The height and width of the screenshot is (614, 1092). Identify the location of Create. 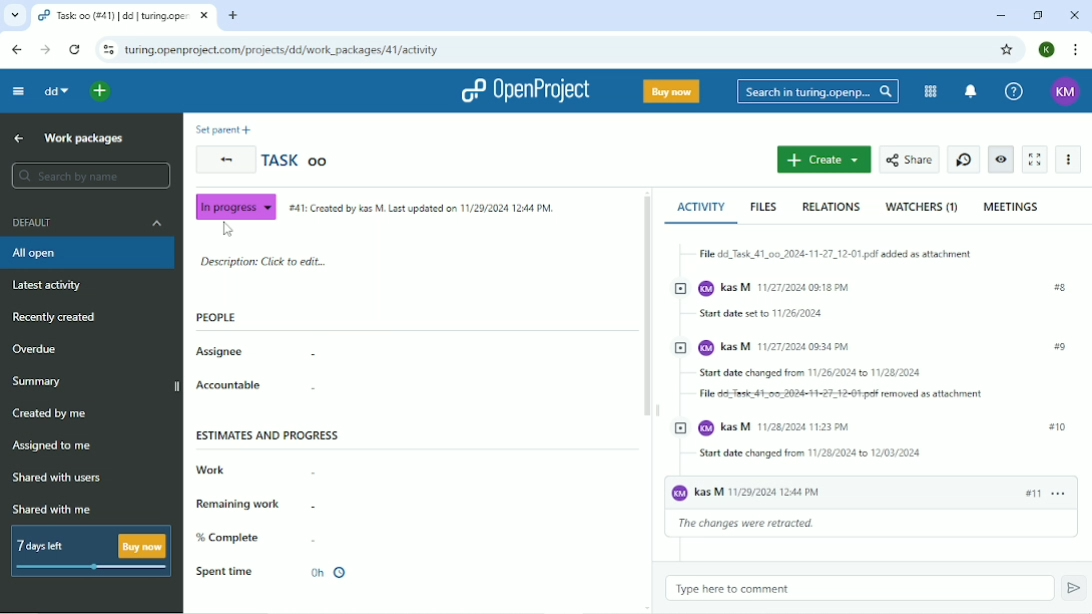
(823, 159).